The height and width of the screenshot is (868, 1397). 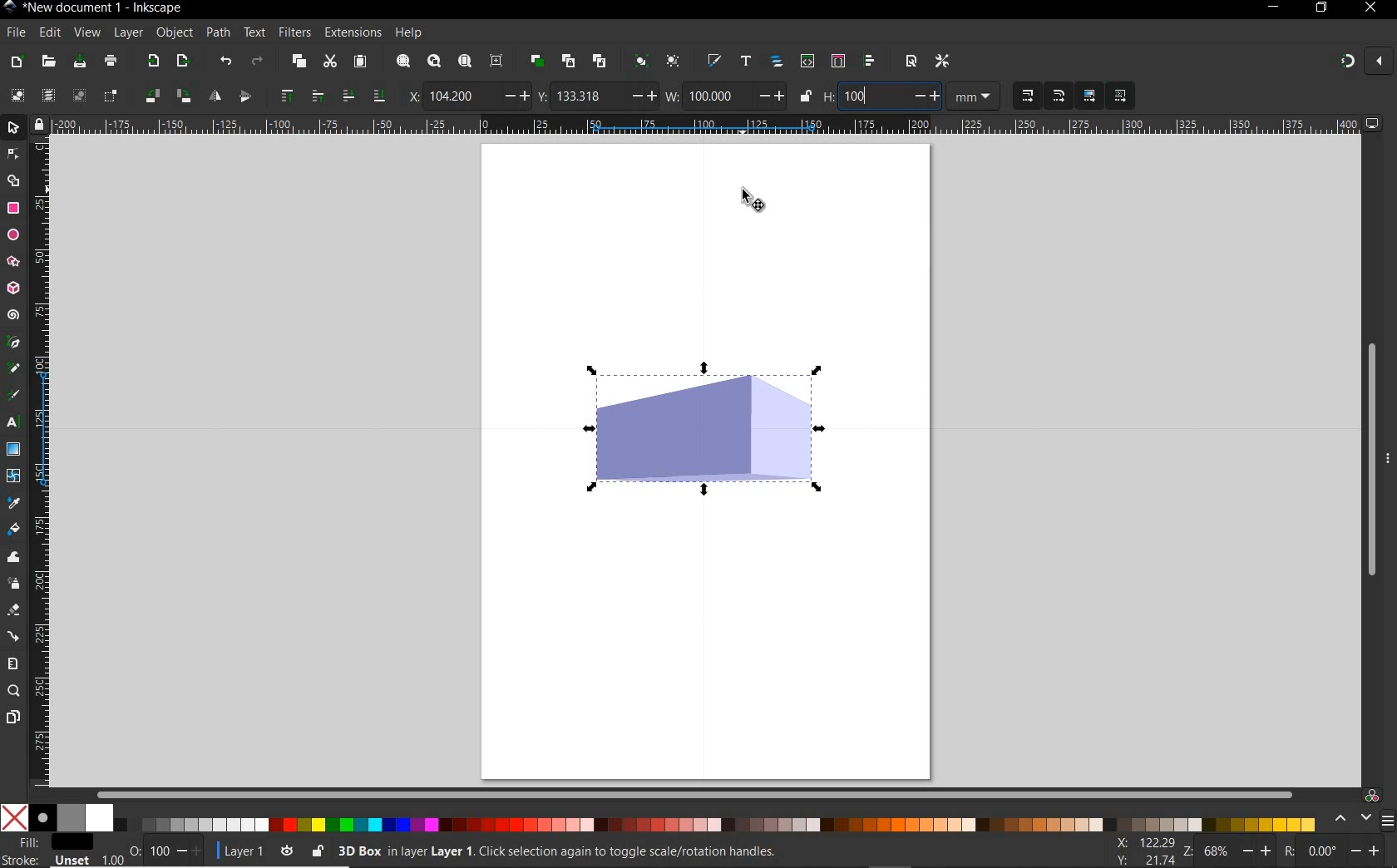 I want to click on star tool, so click(x=13, y=262).